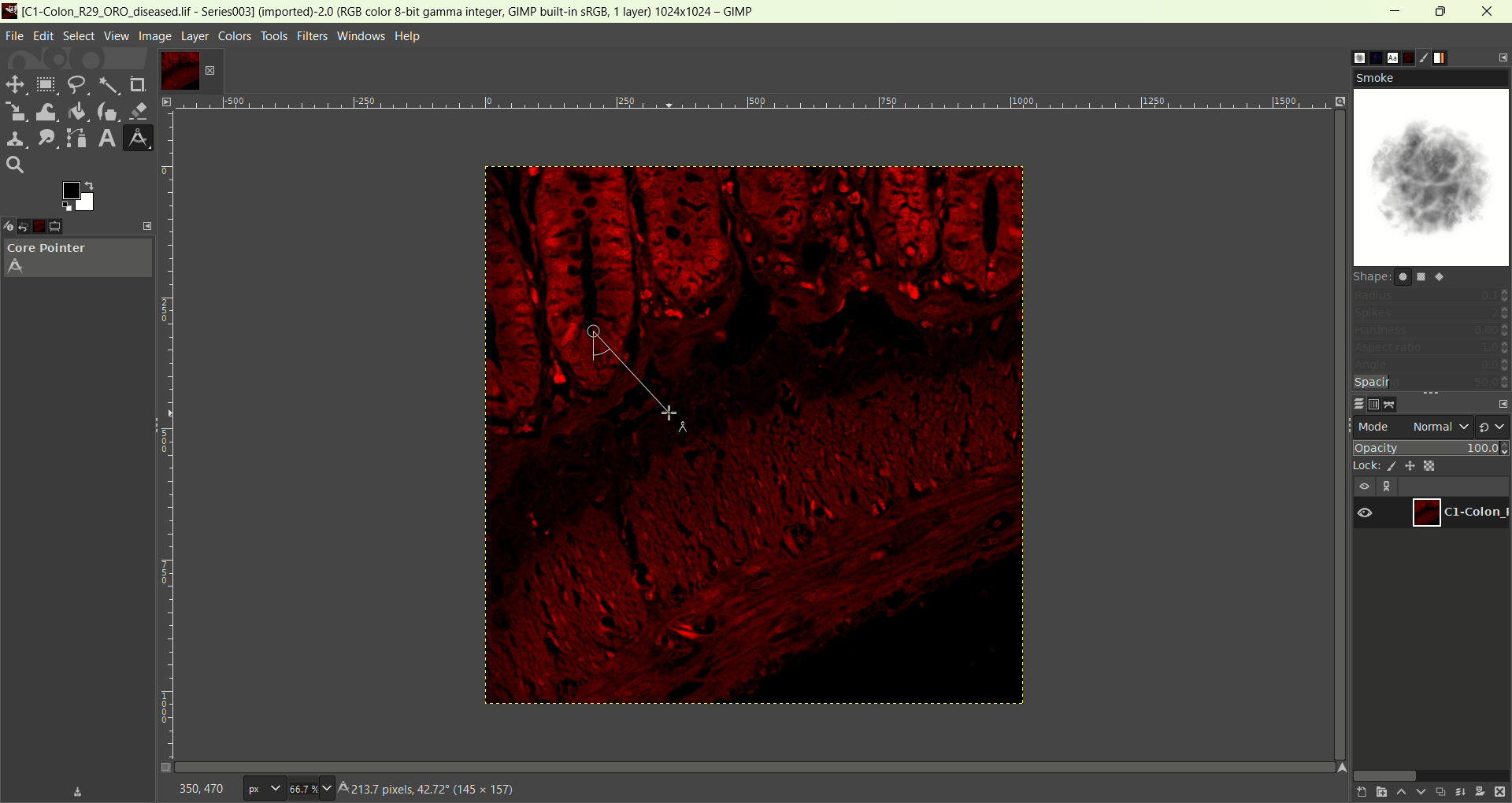 The width and height of the screenshot is (1512, 803). What do you see at coordinates (1352, 403) in the screenshot?
I see `layers` at bounding box center [1352, 403].